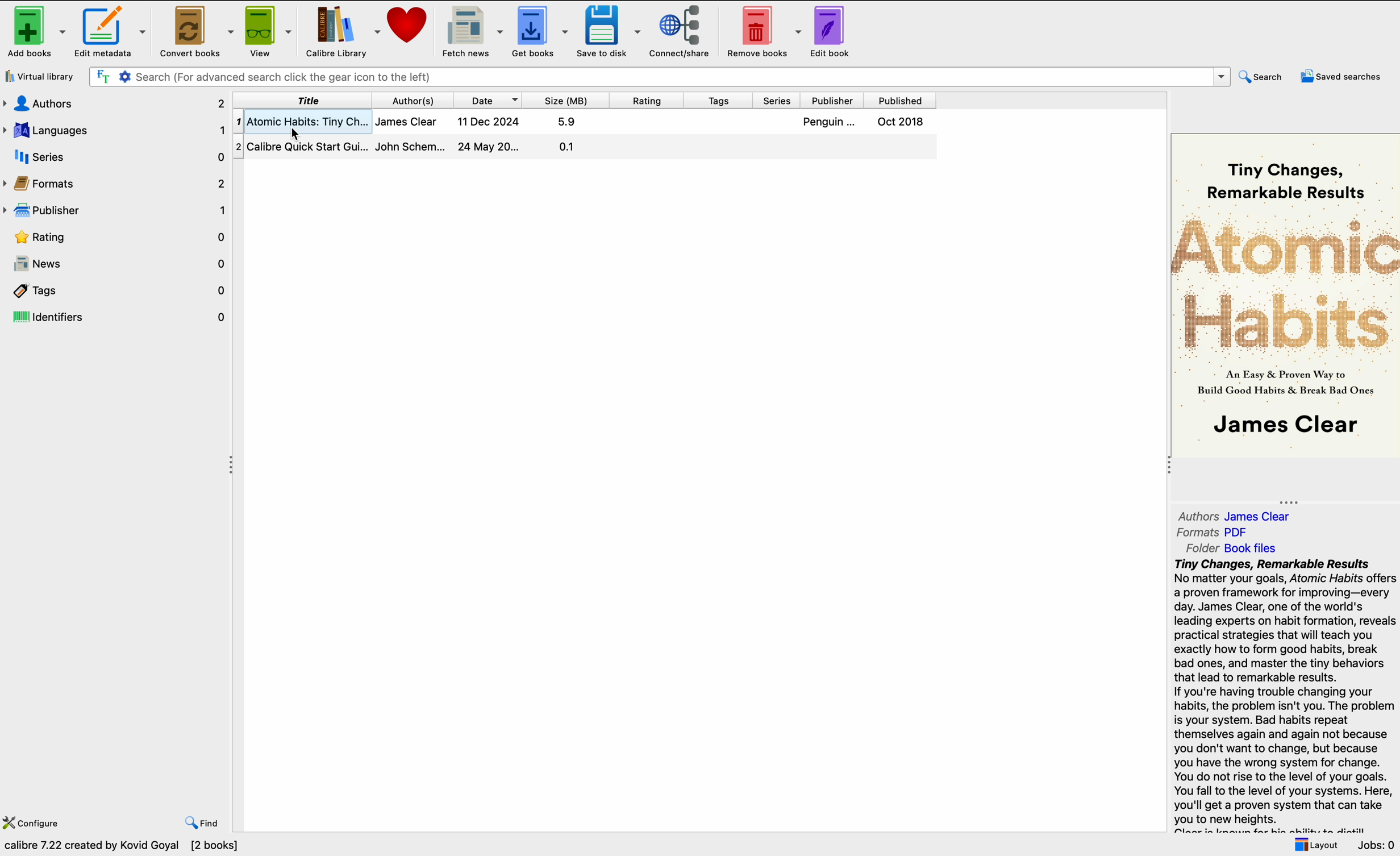 Image resolution: width=1400 pixels, height=856 pixels. Describe the element at coordinates (661, 77) in the screenshot. I see `search bar` at that location.